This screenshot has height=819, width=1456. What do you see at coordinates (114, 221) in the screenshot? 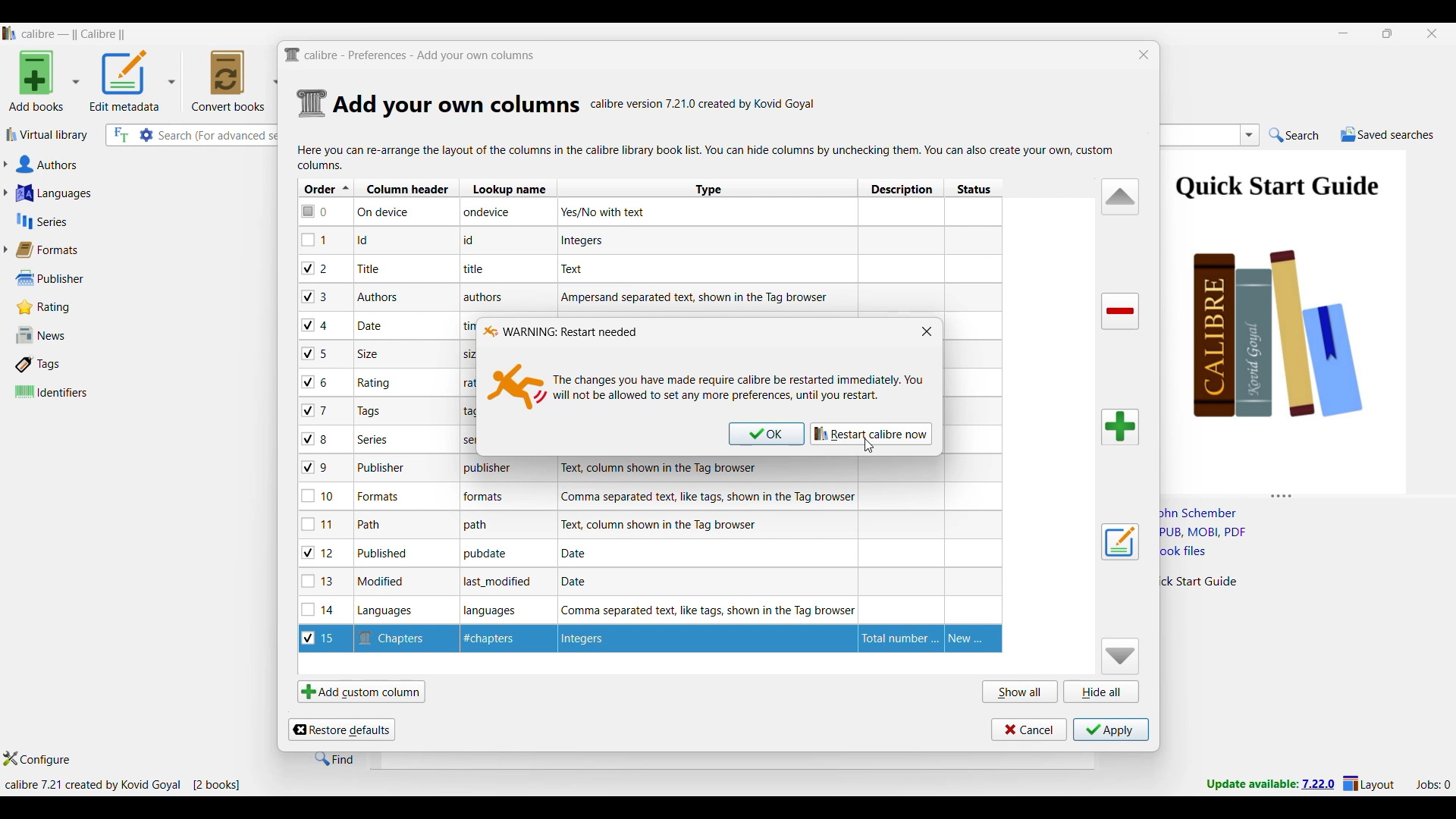
I see `Series` at bounding box center [114, 221].